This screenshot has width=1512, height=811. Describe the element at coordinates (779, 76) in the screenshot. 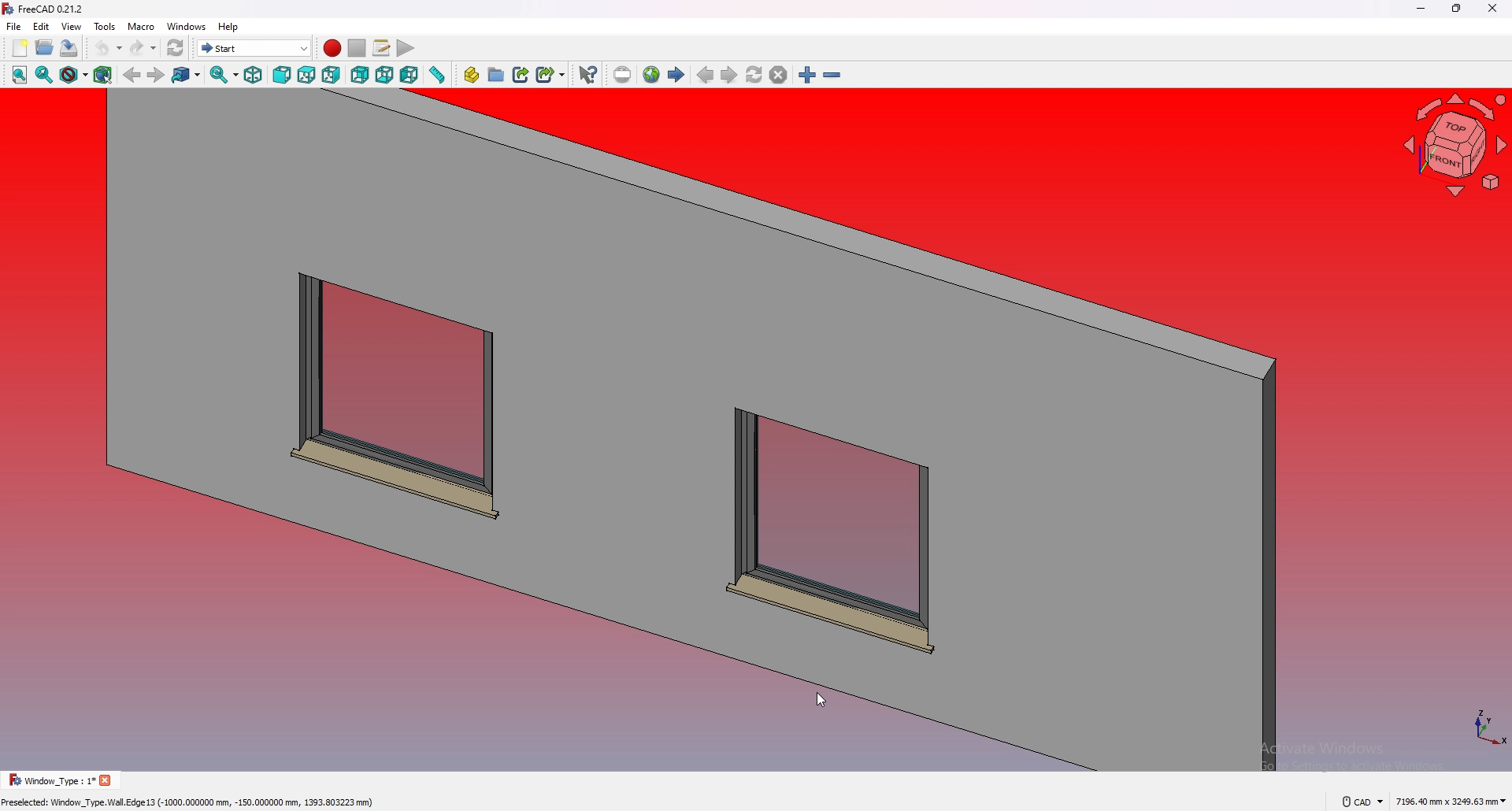

I see `stop loading` at that location.